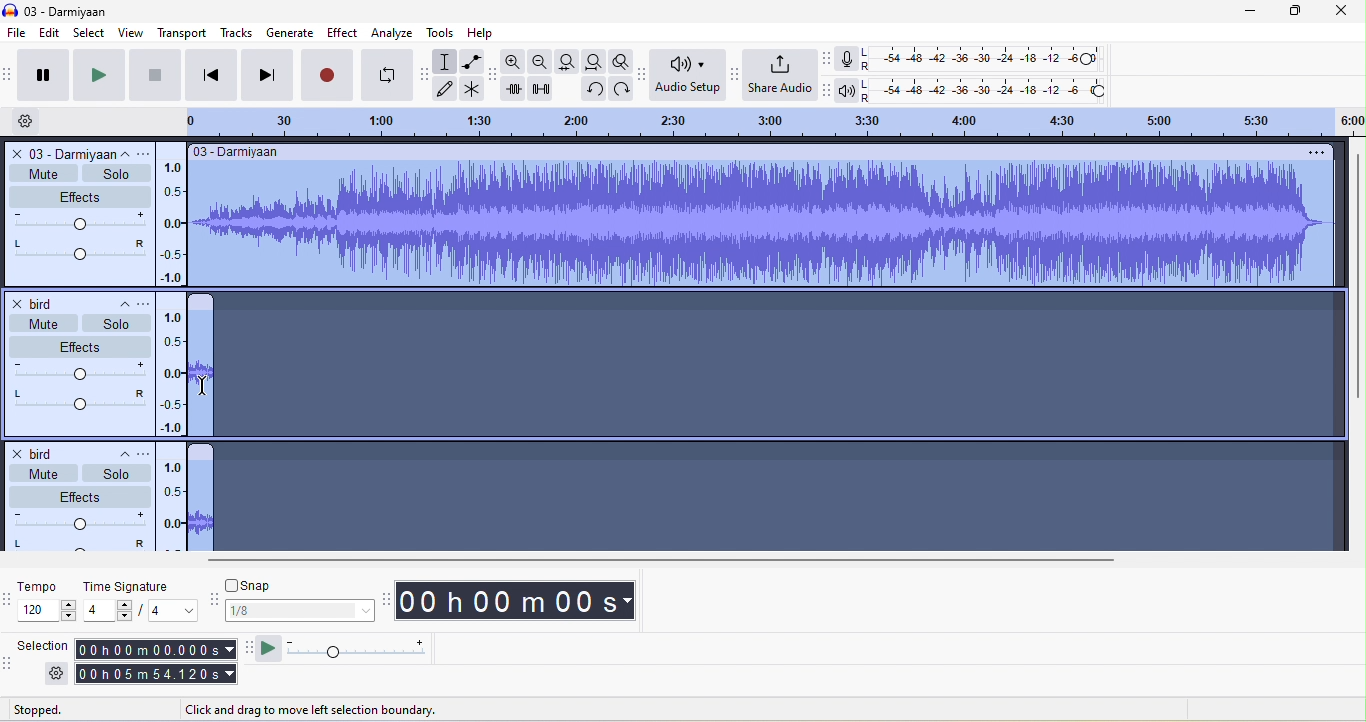 The width and height of the screenshot is (1366, 722). What do you see at coordinates (333, 73) in the screenshot?
I see `record` at bounding box center [333, 73].